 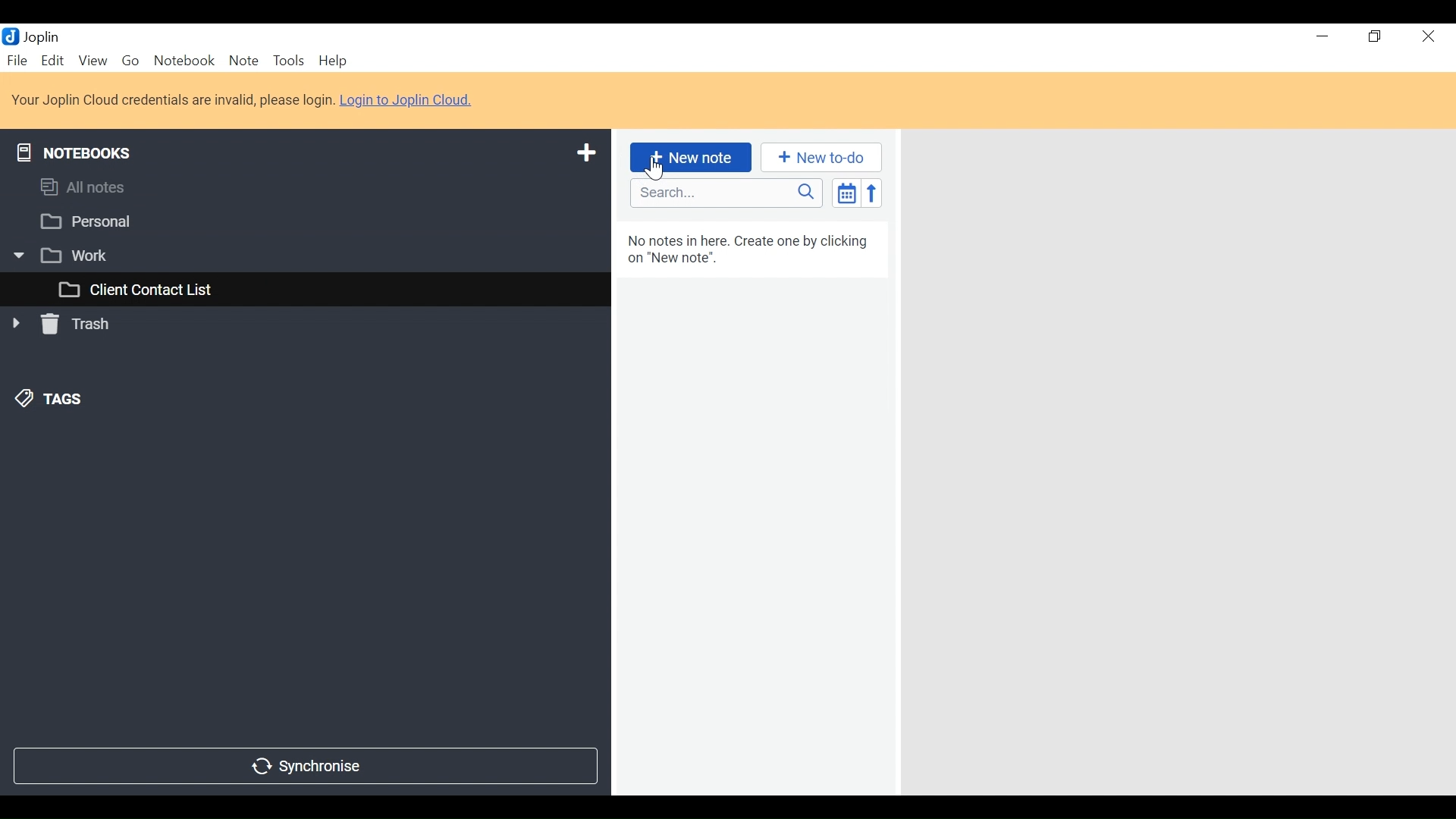 I want to click on Close, so click(x=1431, y=36).